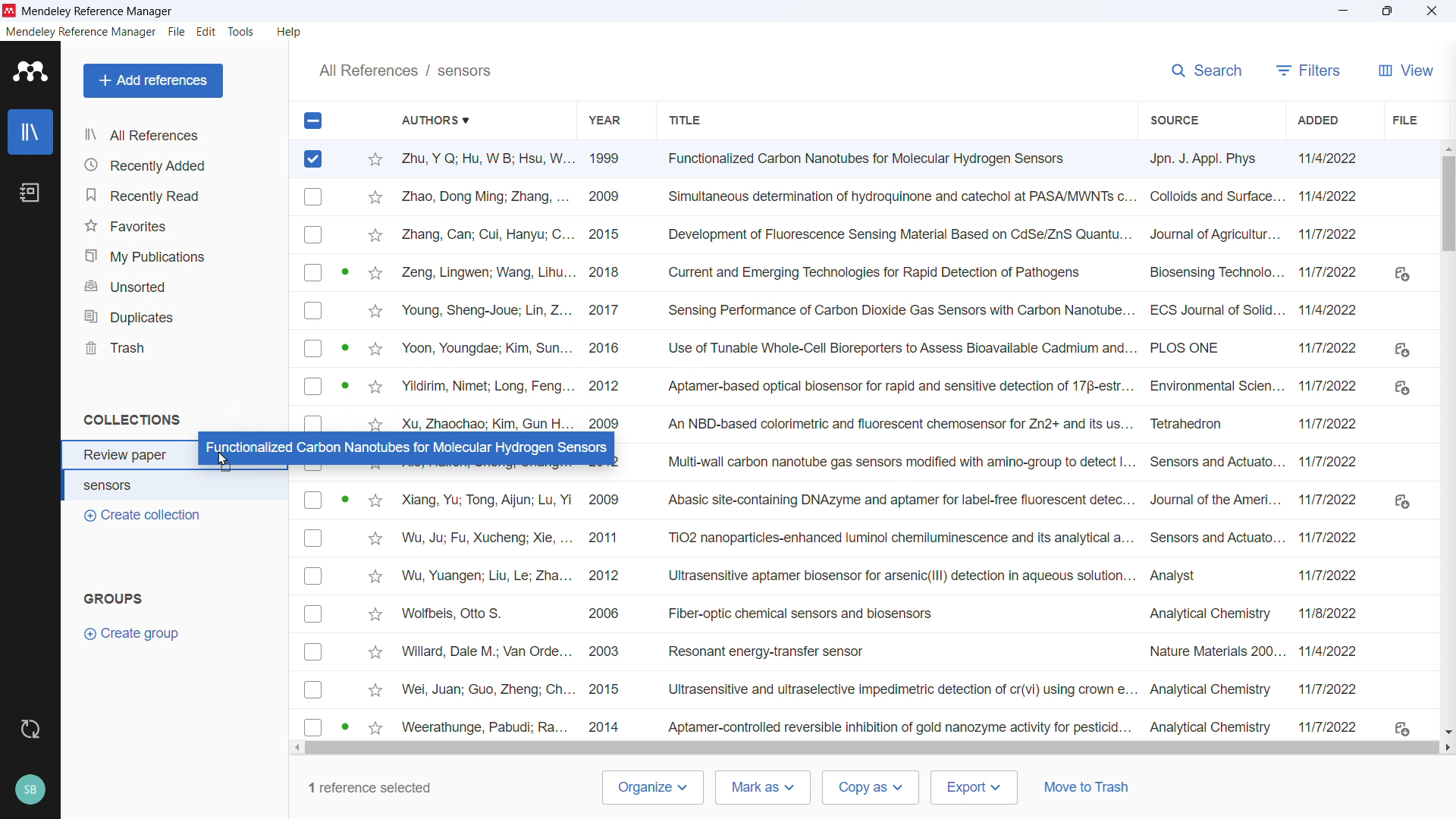 The height and width of the screenshot is (819, 1456). What do you see at coordinates (1447, 747) in the screenshot?
I see `Scroll right ` at bounding box center [1447, 747].